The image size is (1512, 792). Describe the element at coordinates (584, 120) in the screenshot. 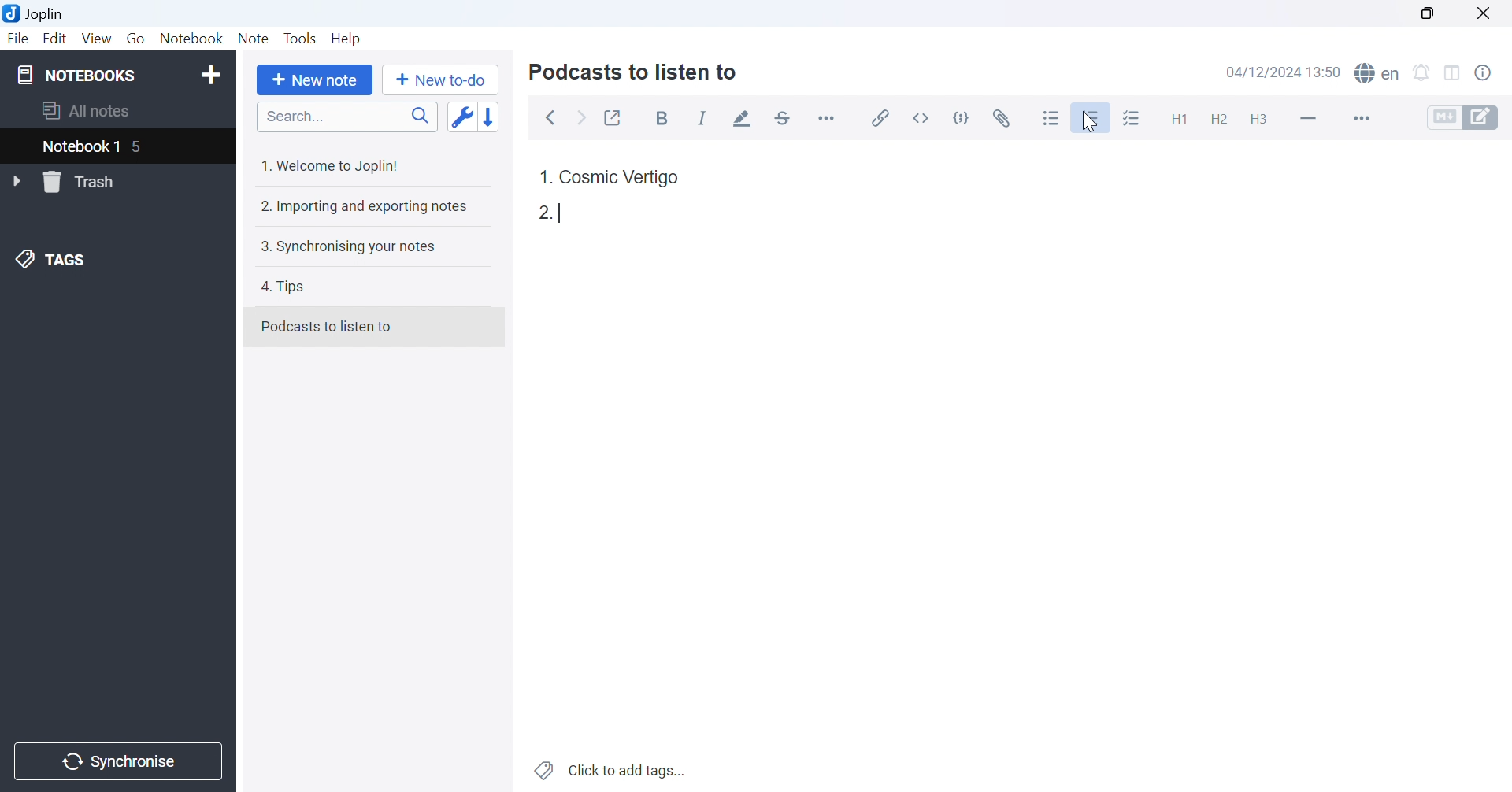

I see `Forward` at that location.